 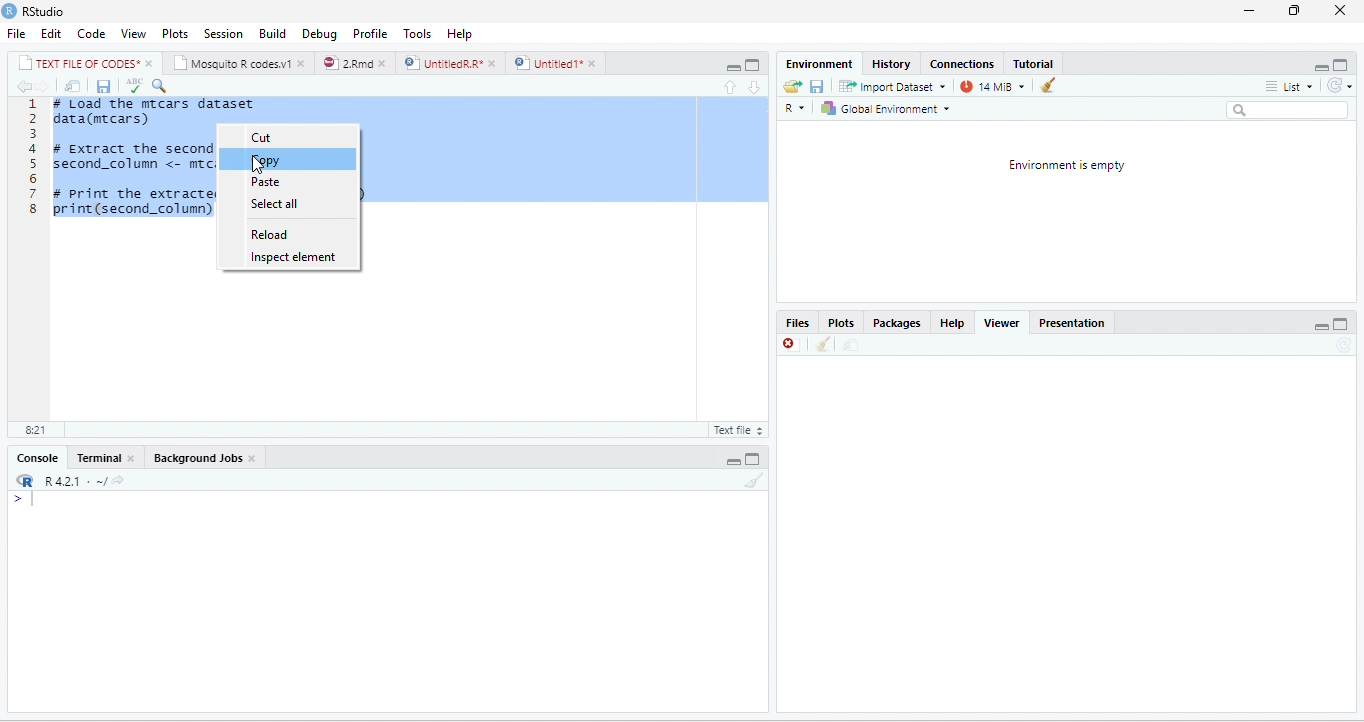 I want to click on minimize, so click(x=1320, y=324).